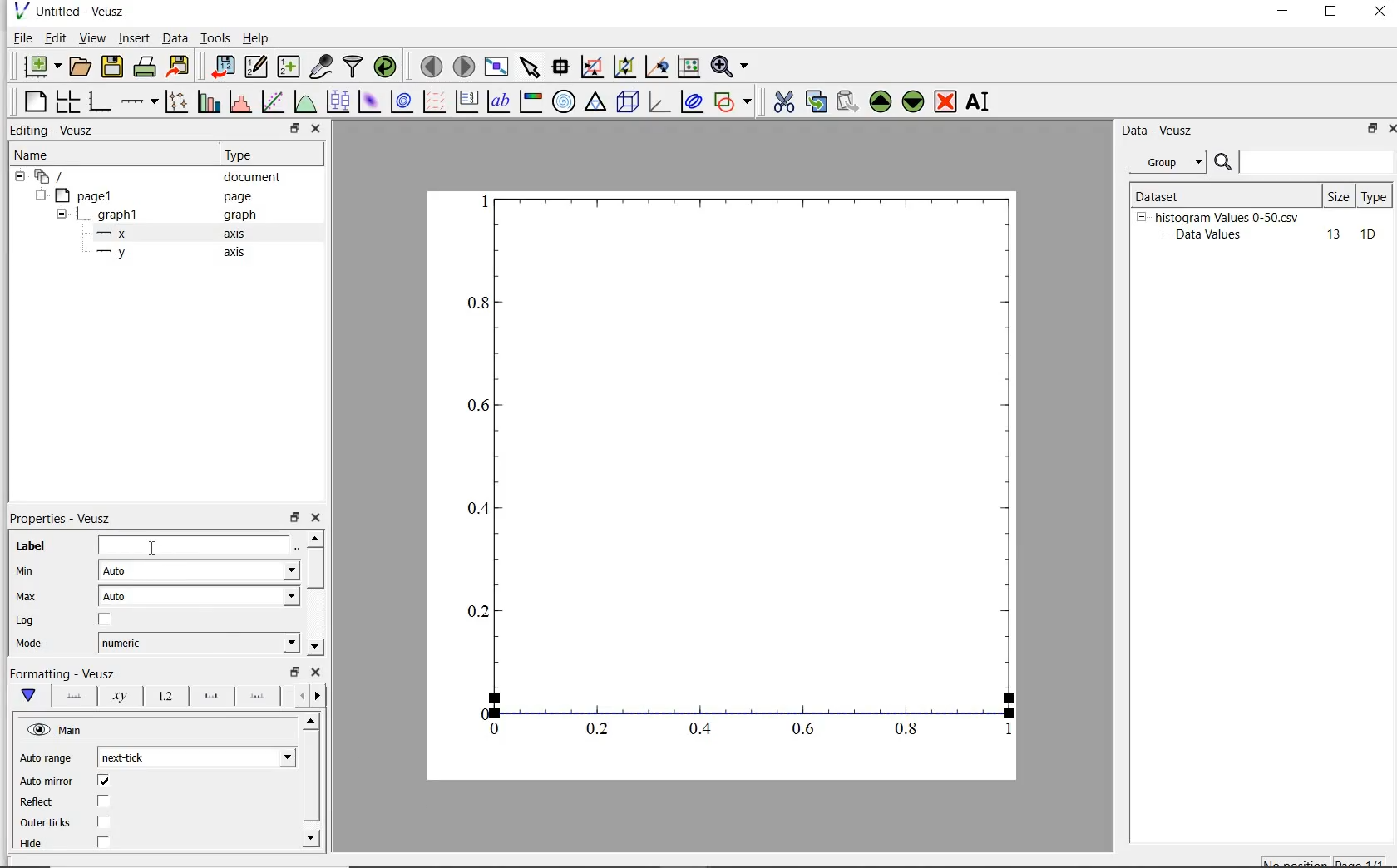 This screenshot has height=868, width=1397. Describe the element at coordinates (532, 101) in the screenshot. I see `image color bar` at that location.